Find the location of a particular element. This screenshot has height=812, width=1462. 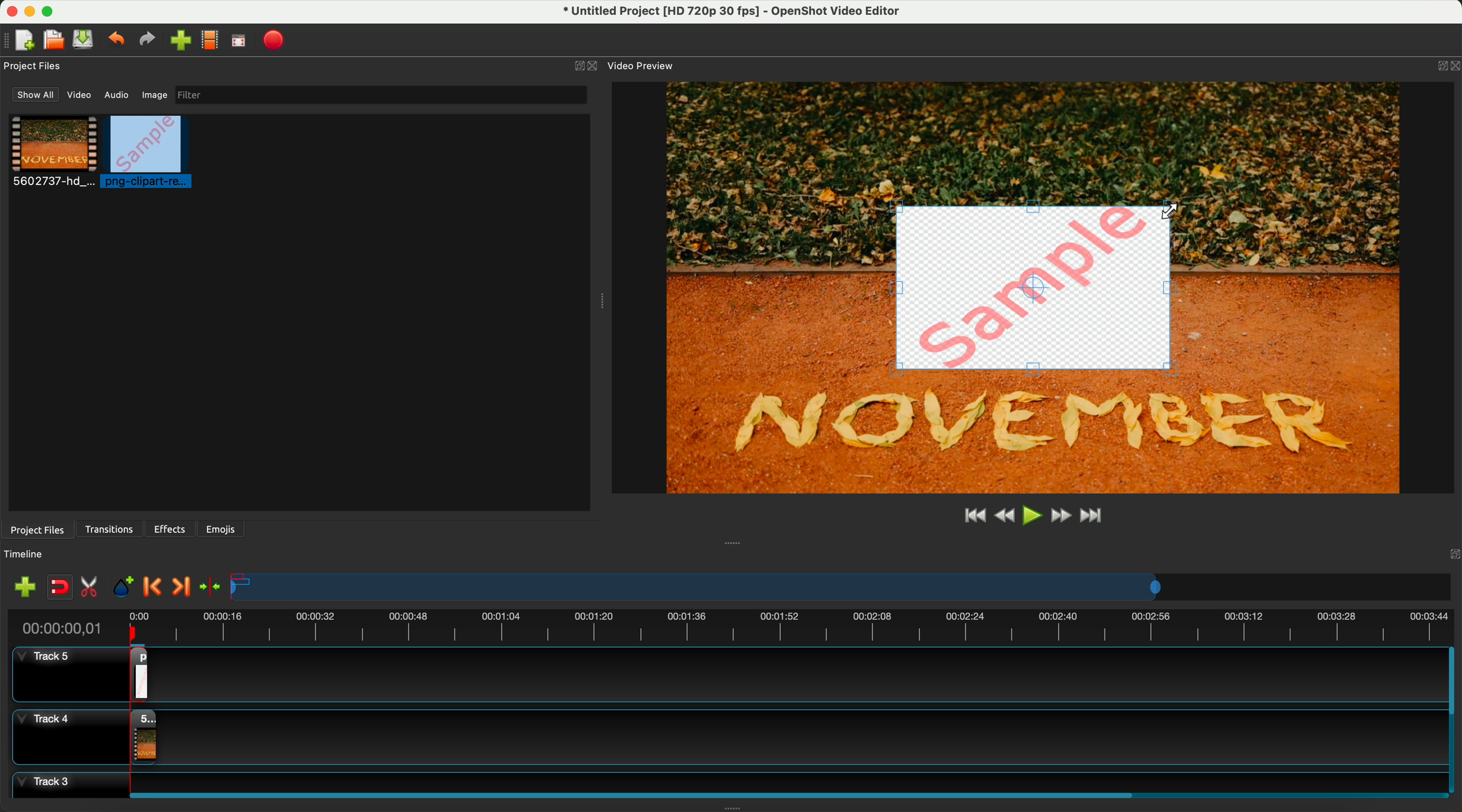

track 4 is located at coordinates (722, 734).